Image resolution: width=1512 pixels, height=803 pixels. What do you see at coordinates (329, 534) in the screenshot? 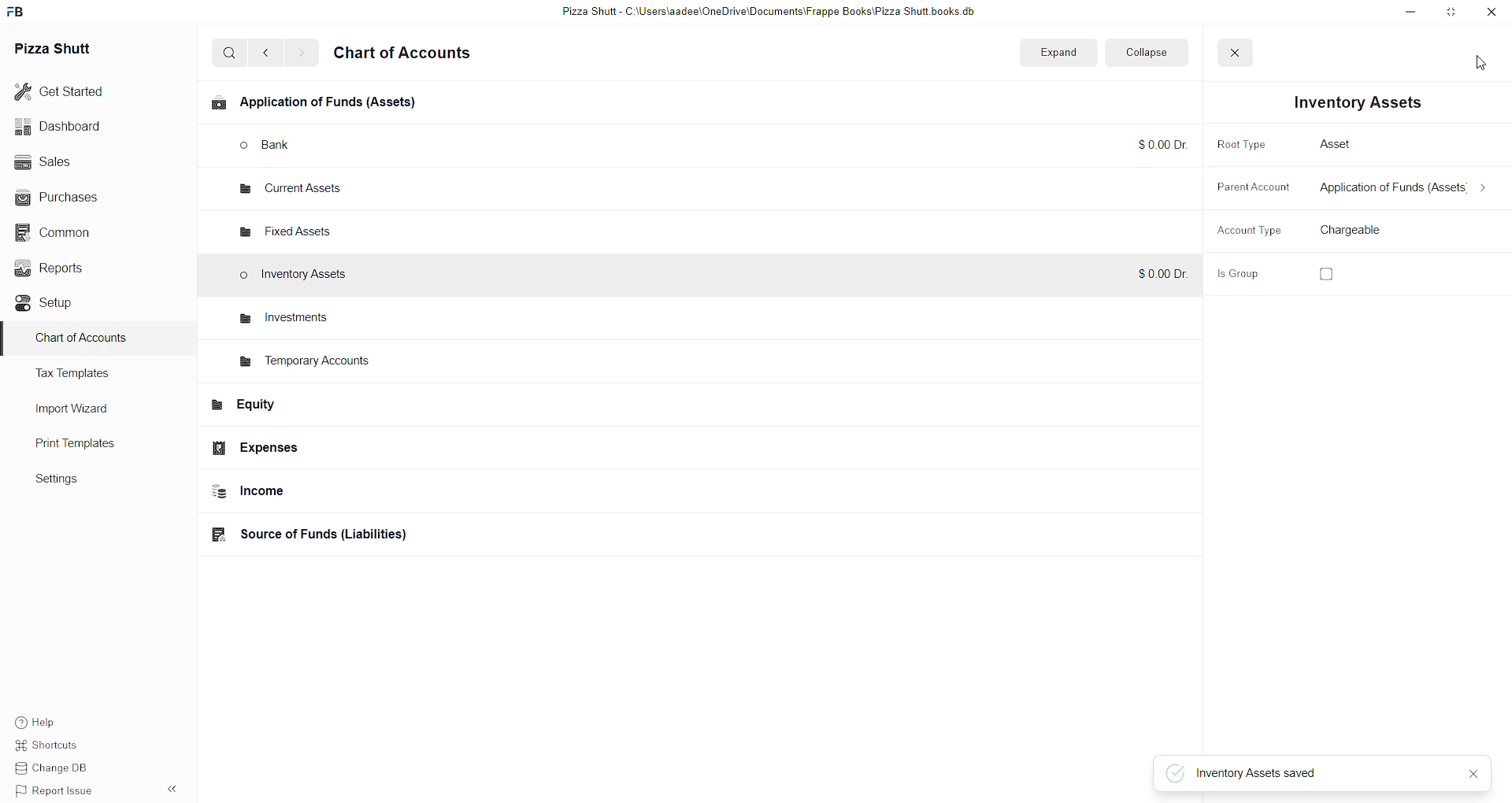
I see `Source of funds(Liabilities)` at bounding box center [329, 534].